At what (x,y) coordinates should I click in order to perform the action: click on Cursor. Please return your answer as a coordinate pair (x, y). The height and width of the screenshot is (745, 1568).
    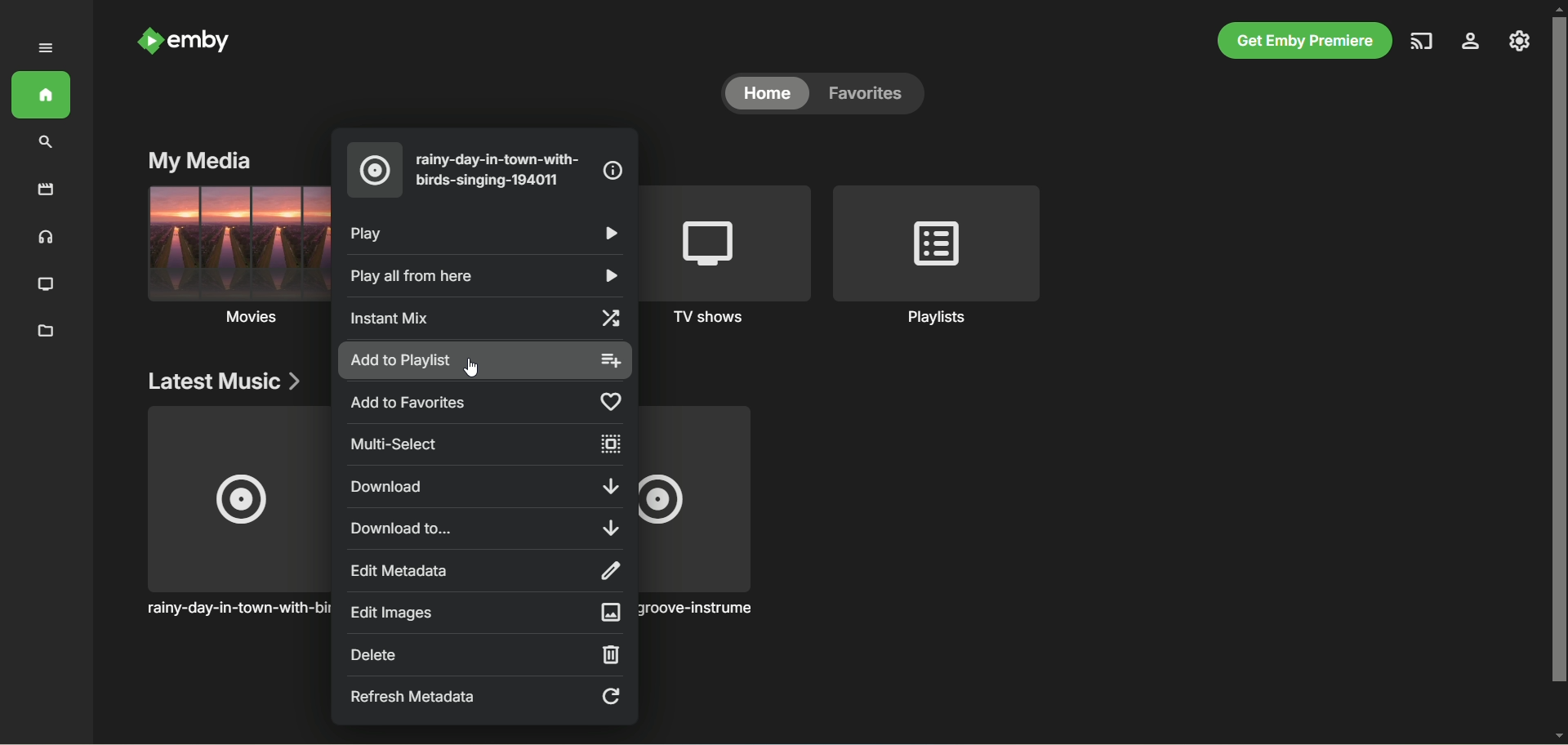
    Looking at the image, I should click on (472, 367).